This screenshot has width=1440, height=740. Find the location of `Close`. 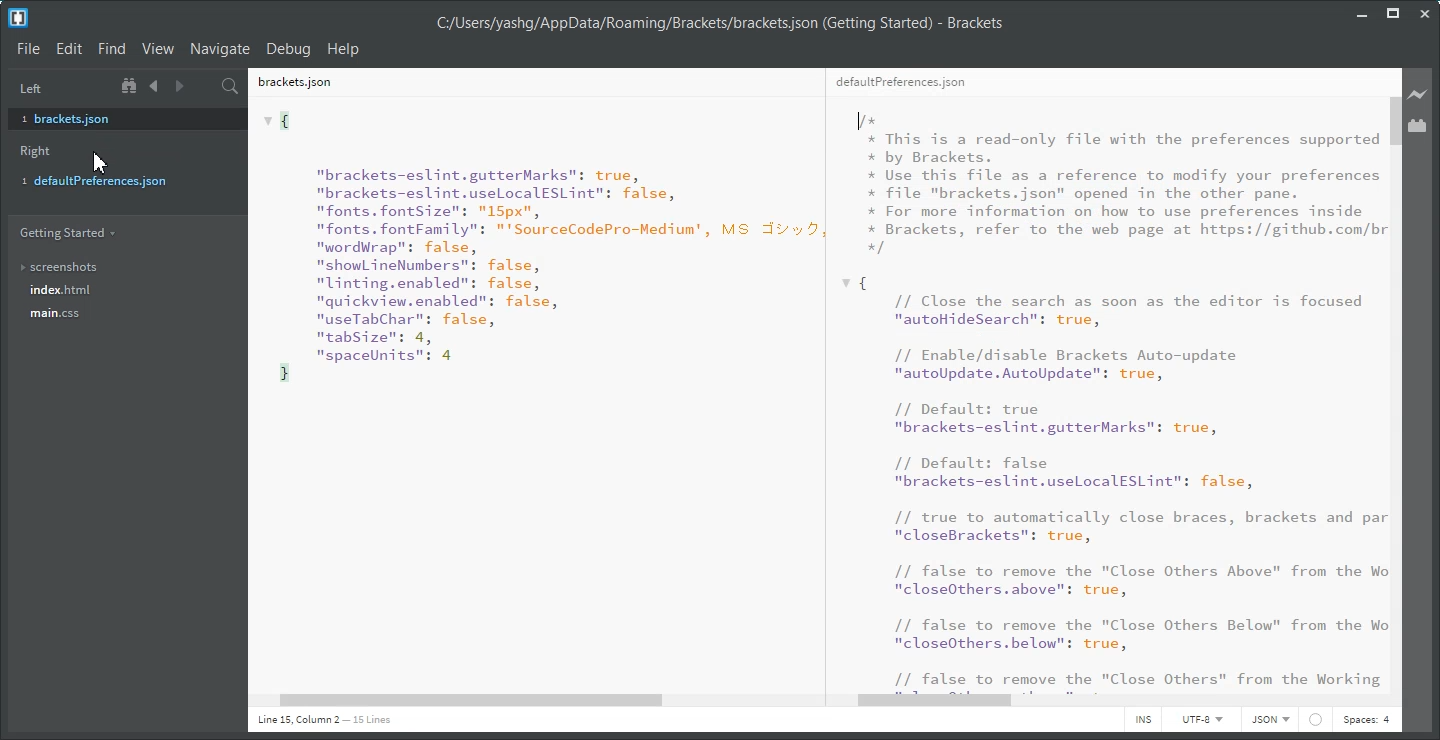

Close is located at coordinates (1424, 14).